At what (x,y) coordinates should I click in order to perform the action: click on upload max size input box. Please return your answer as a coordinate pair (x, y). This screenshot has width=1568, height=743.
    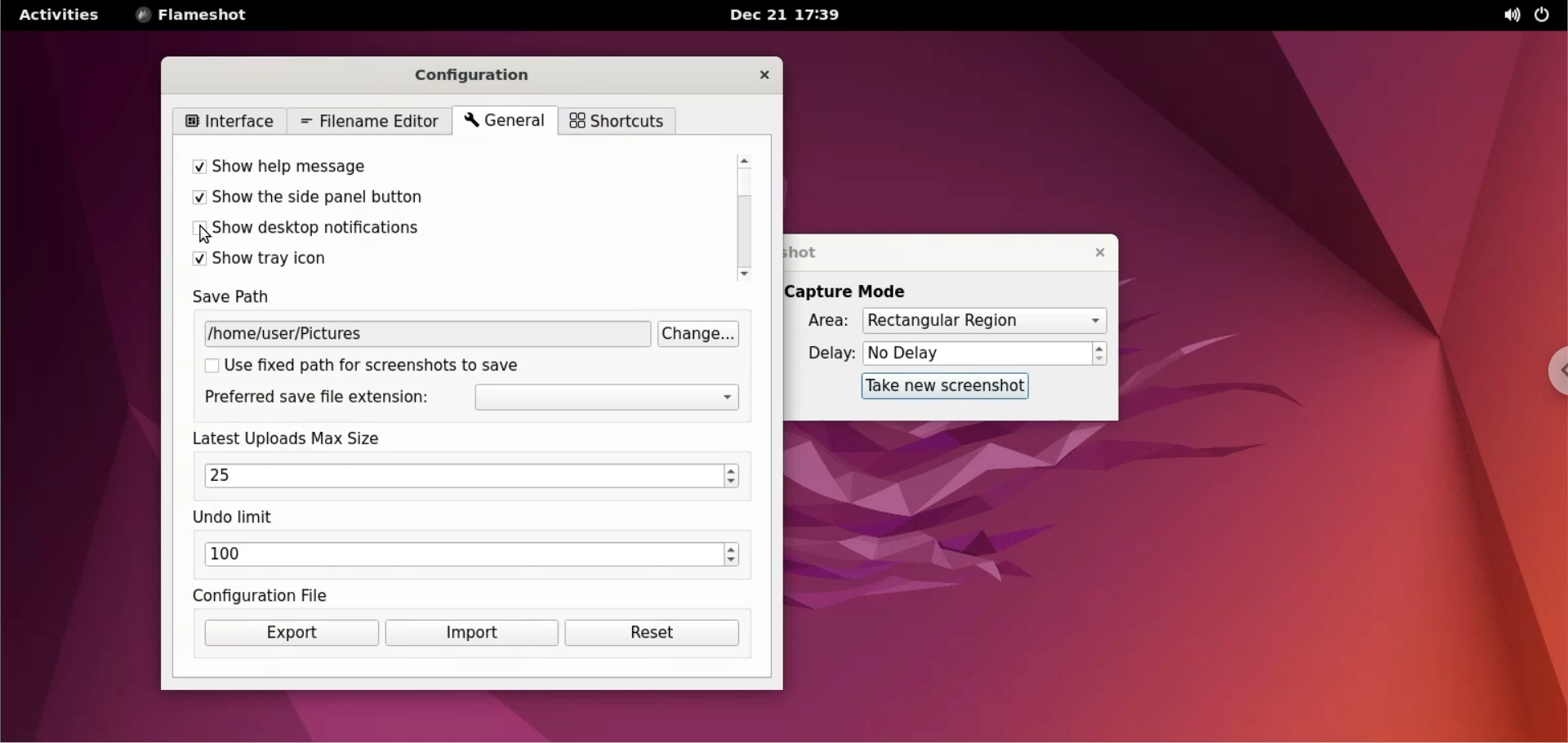
    Looking at the image, I should click on (457, 476).